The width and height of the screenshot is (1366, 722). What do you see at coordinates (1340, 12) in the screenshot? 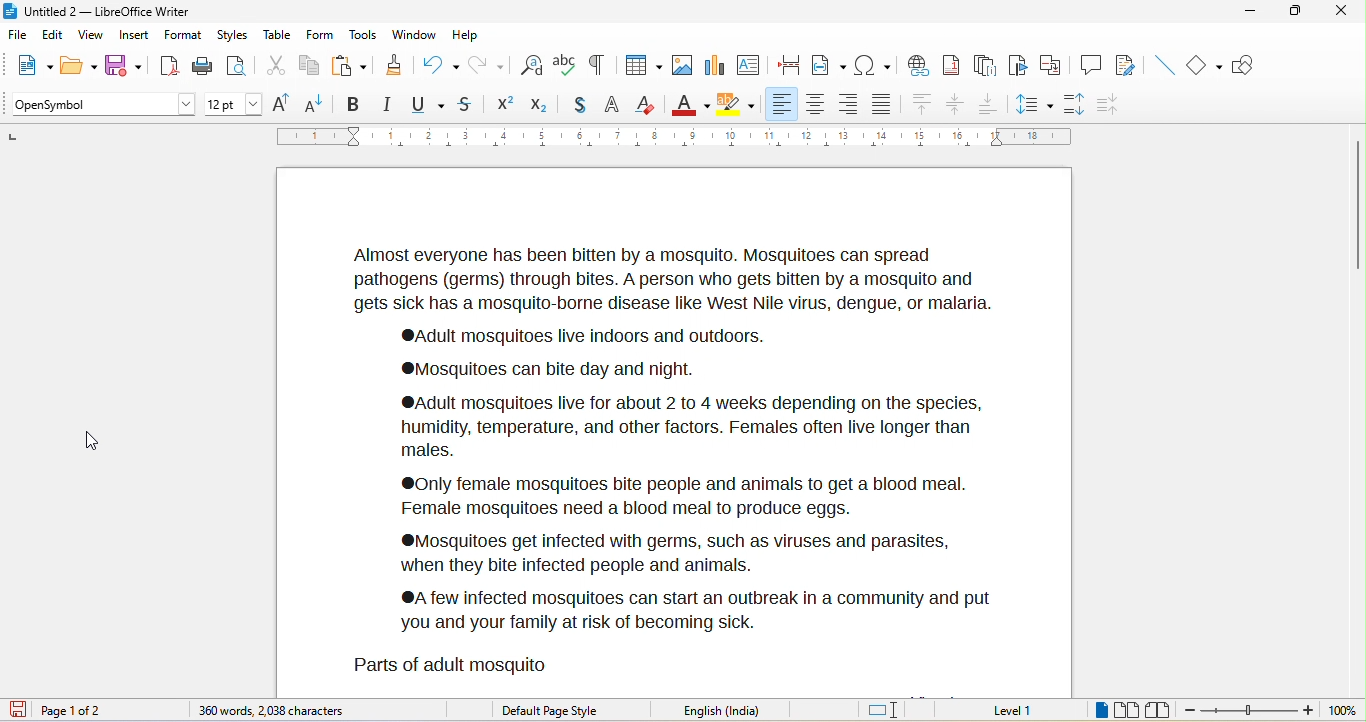
I see `close` at bounding box center [1340, 12].